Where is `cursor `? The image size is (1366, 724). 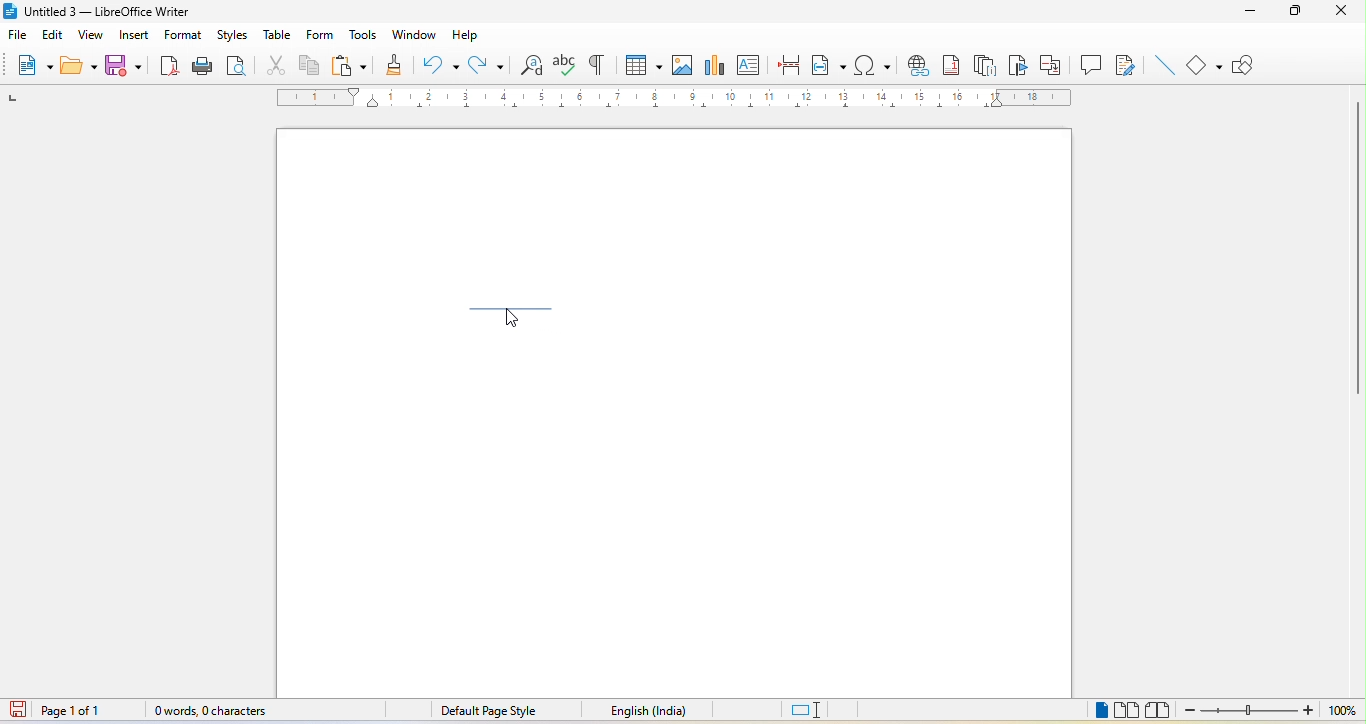 cursor  is located at coordinates (515, 316).